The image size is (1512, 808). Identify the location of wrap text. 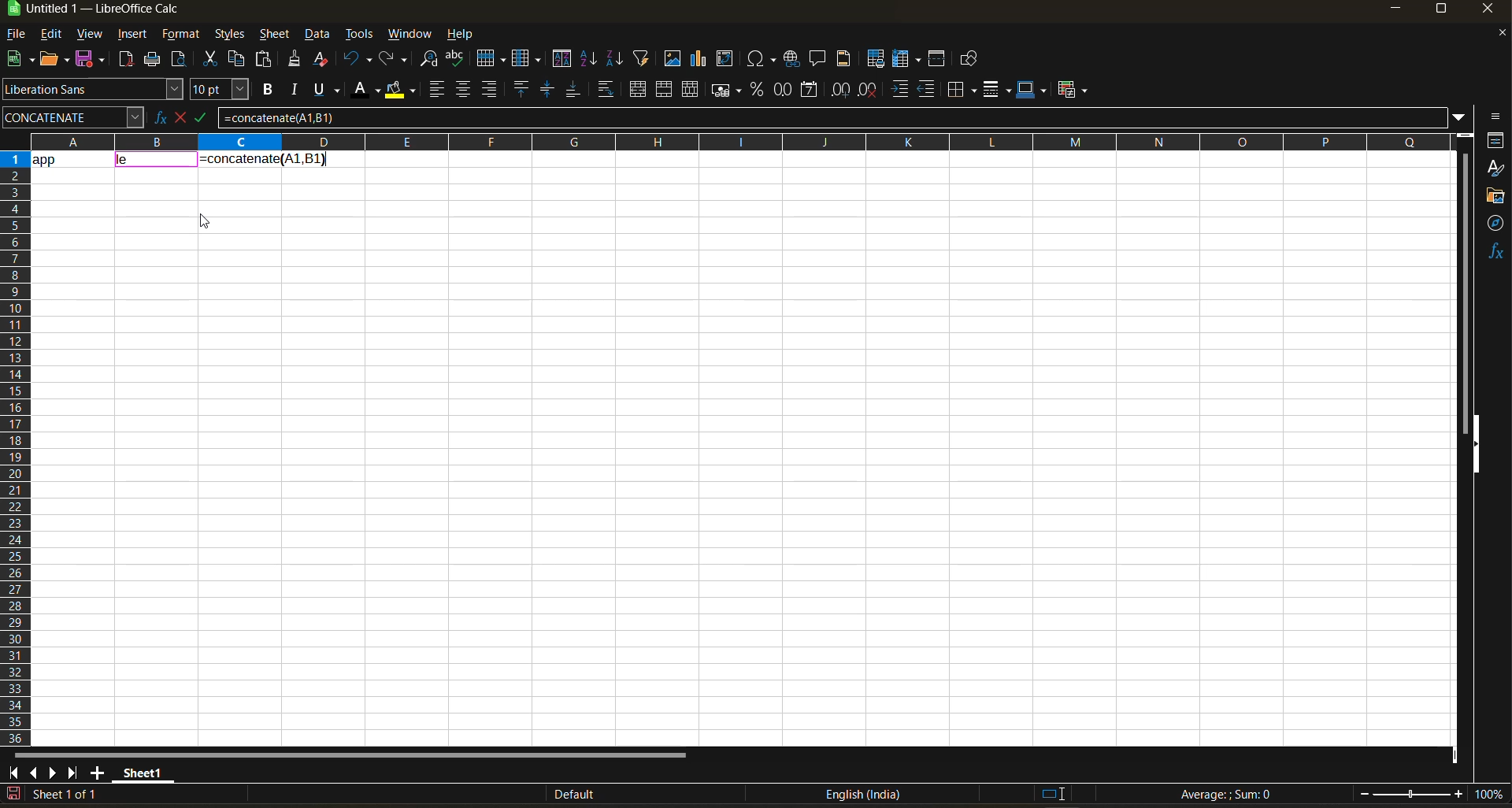
(605, 91).